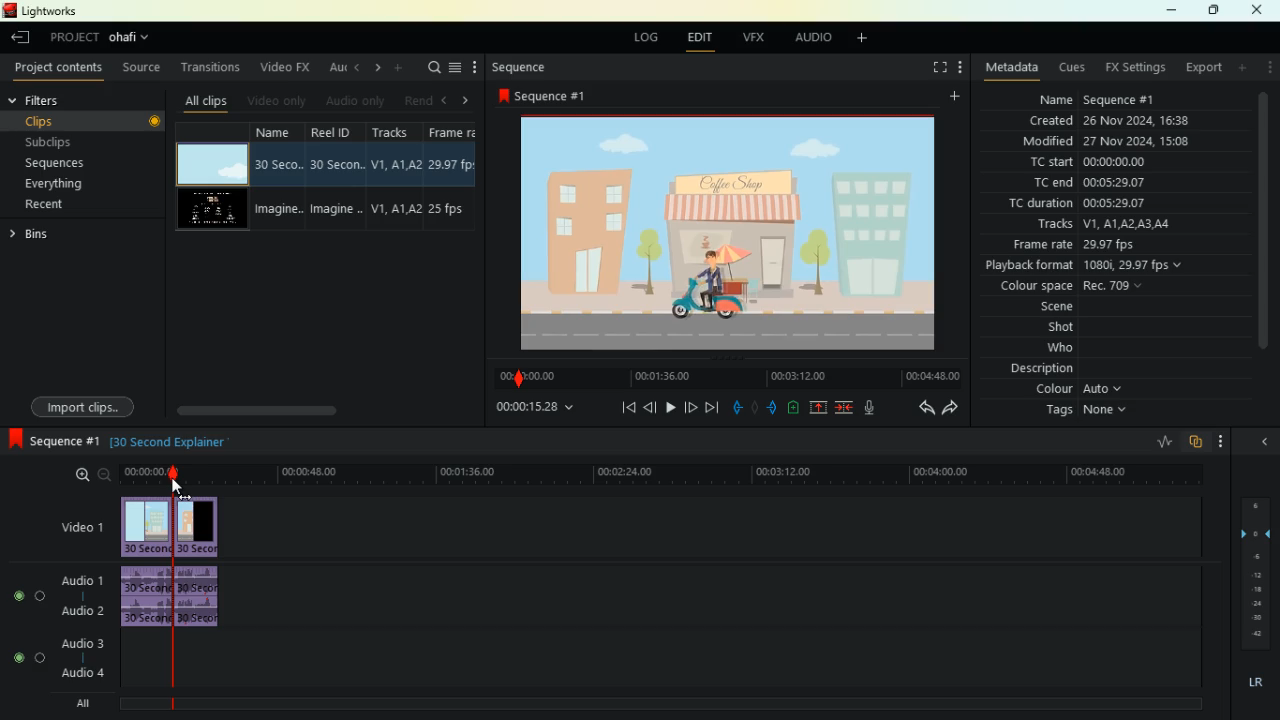 The width and height of the screenshot is (1280, 720). I want to click on rate, so click(1158, 442).